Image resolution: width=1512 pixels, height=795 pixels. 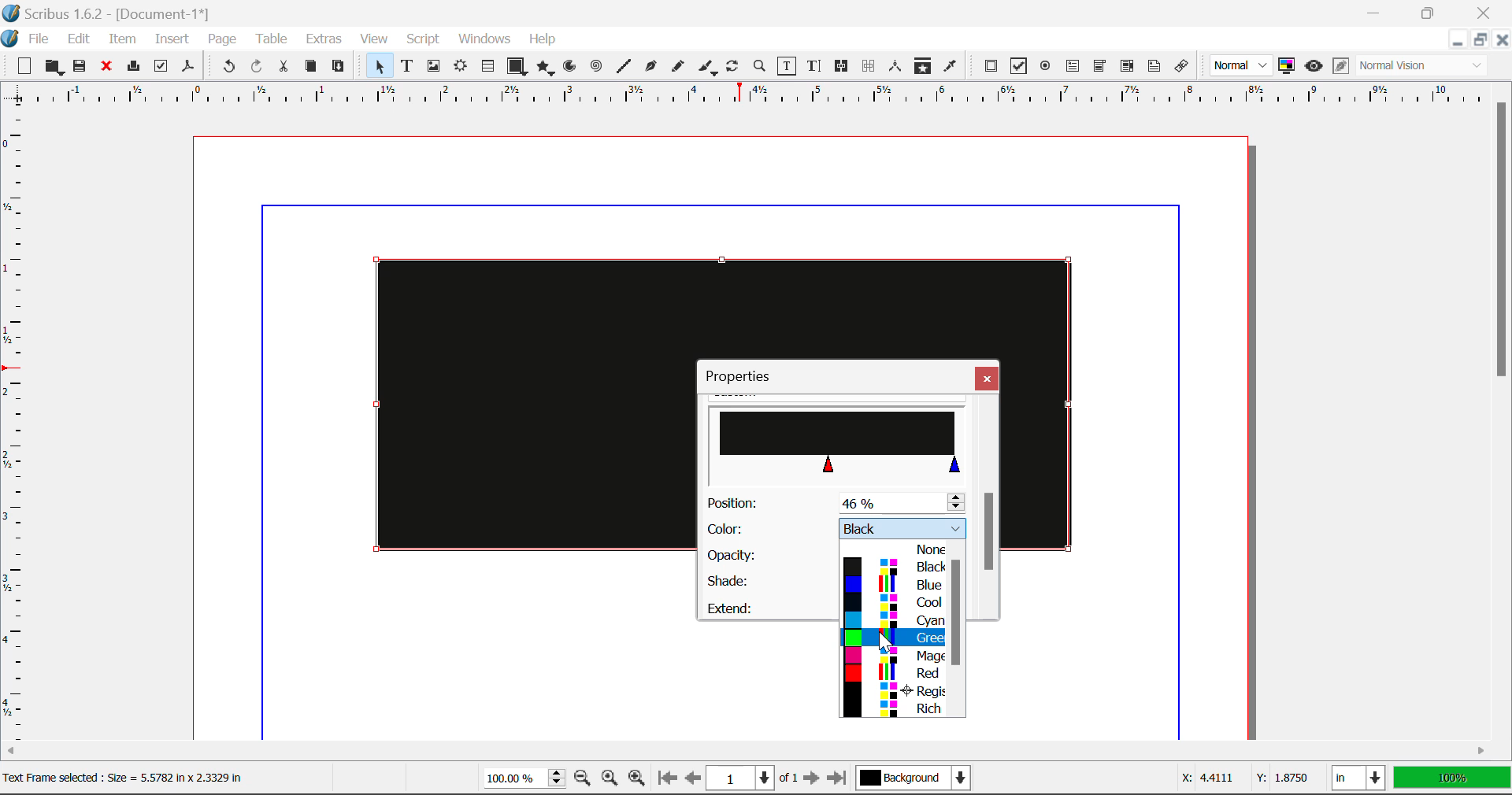 I want to click on Page 1 of 1, so click(x=752, y=780).